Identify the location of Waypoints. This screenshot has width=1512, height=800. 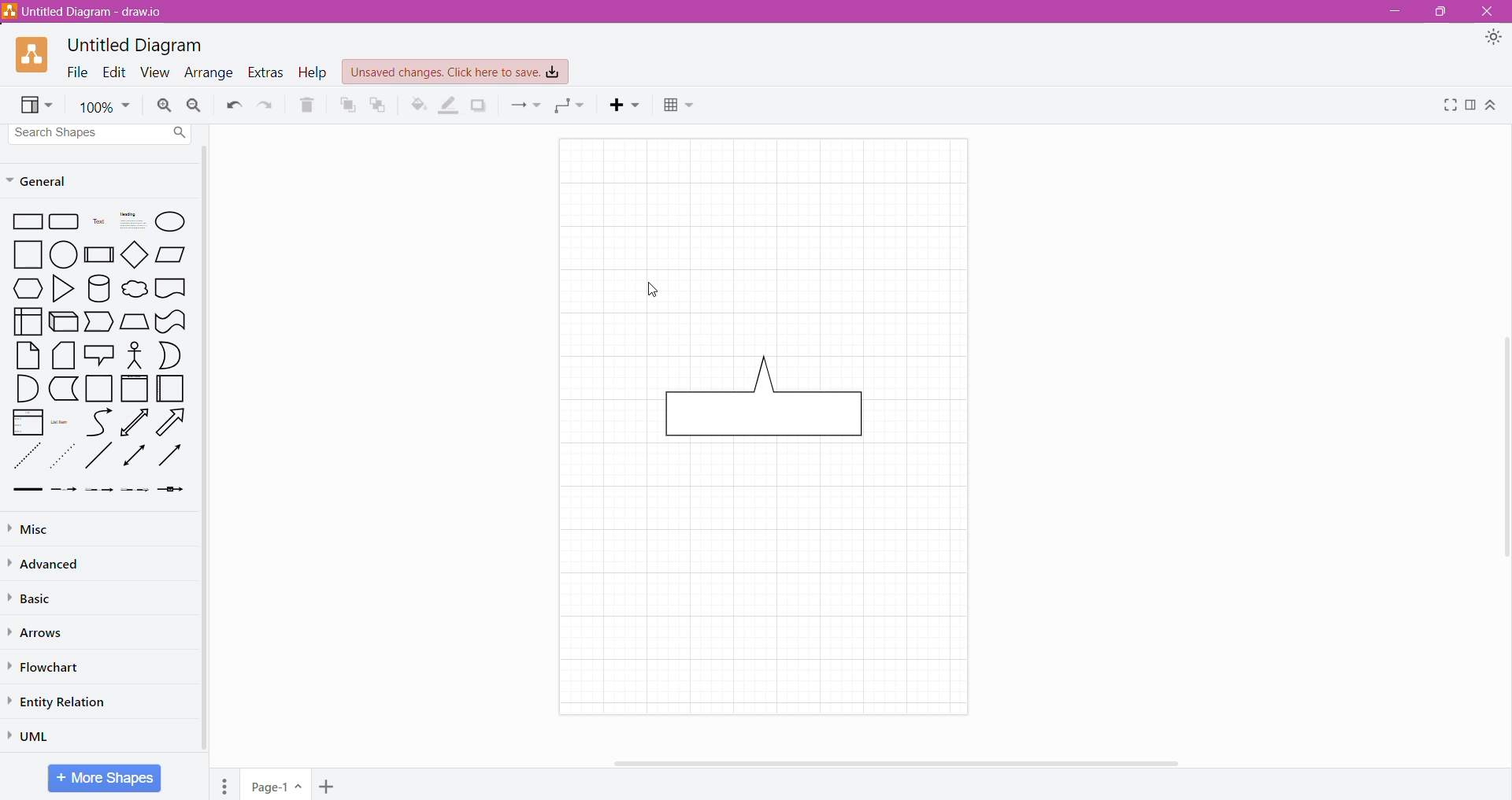
(573, 106).